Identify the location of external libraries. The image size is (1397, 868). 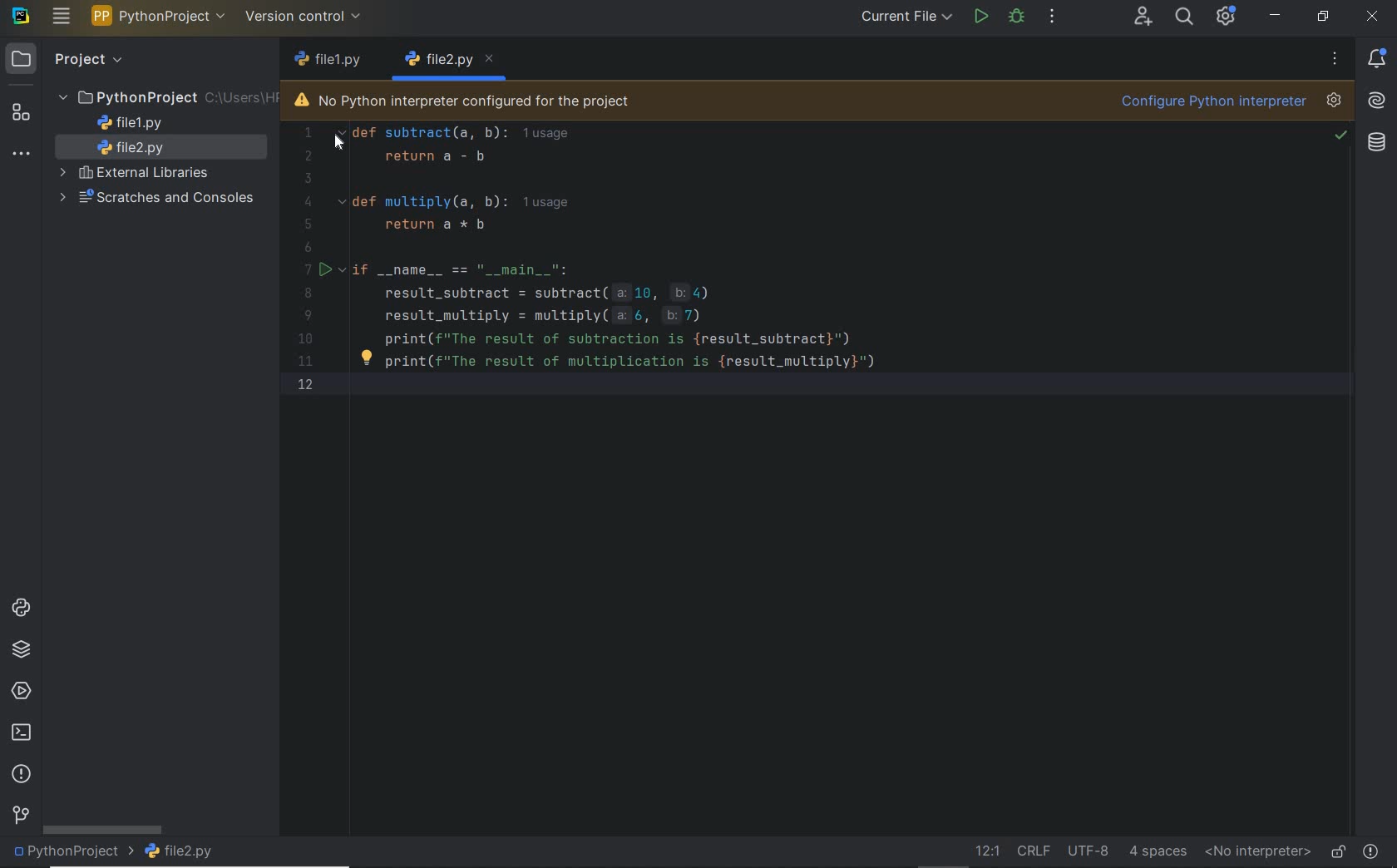
(137, 174).